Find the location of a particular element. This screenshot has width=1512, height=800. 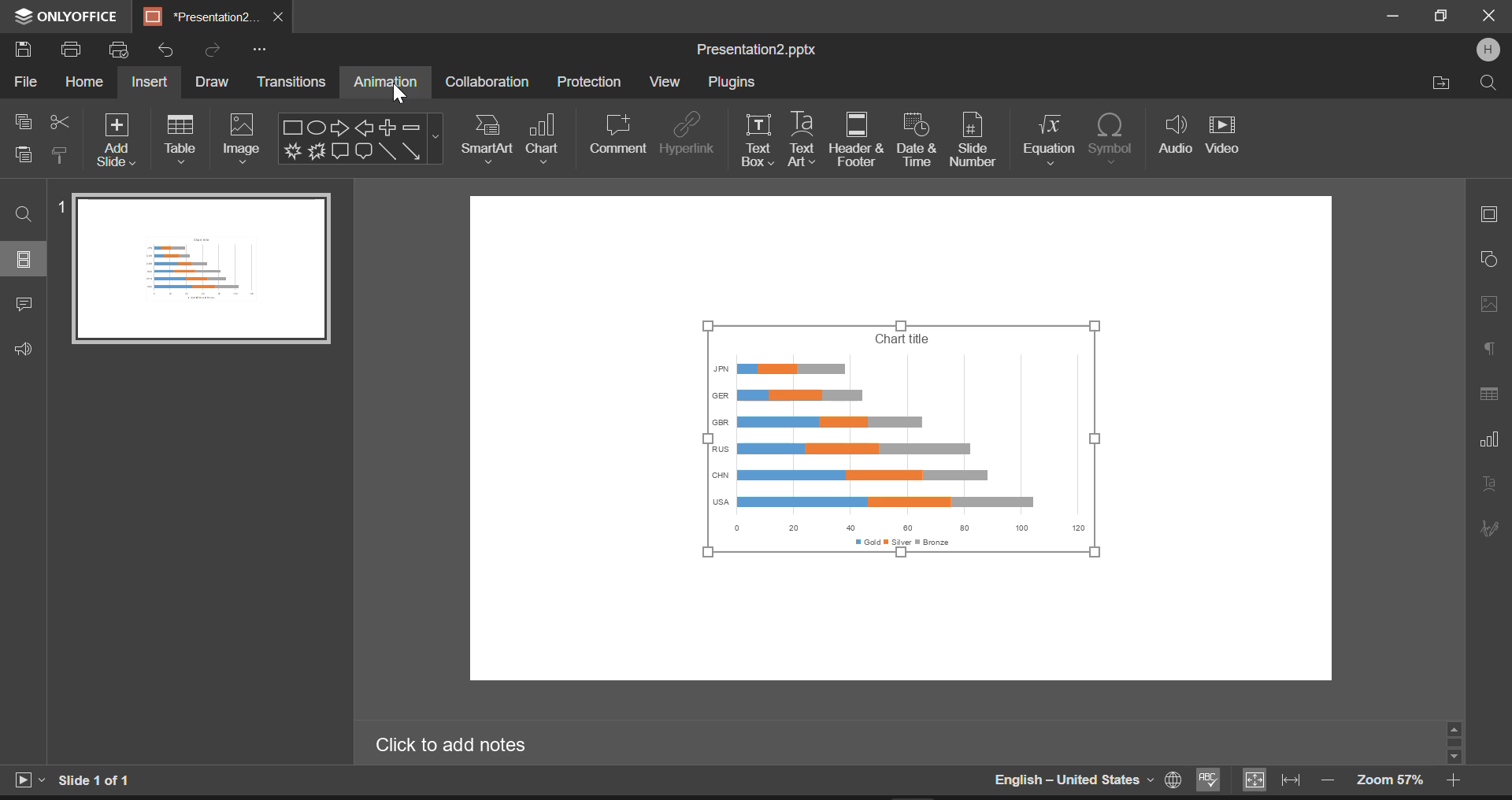

More Options is located at coordinates (259, 49).